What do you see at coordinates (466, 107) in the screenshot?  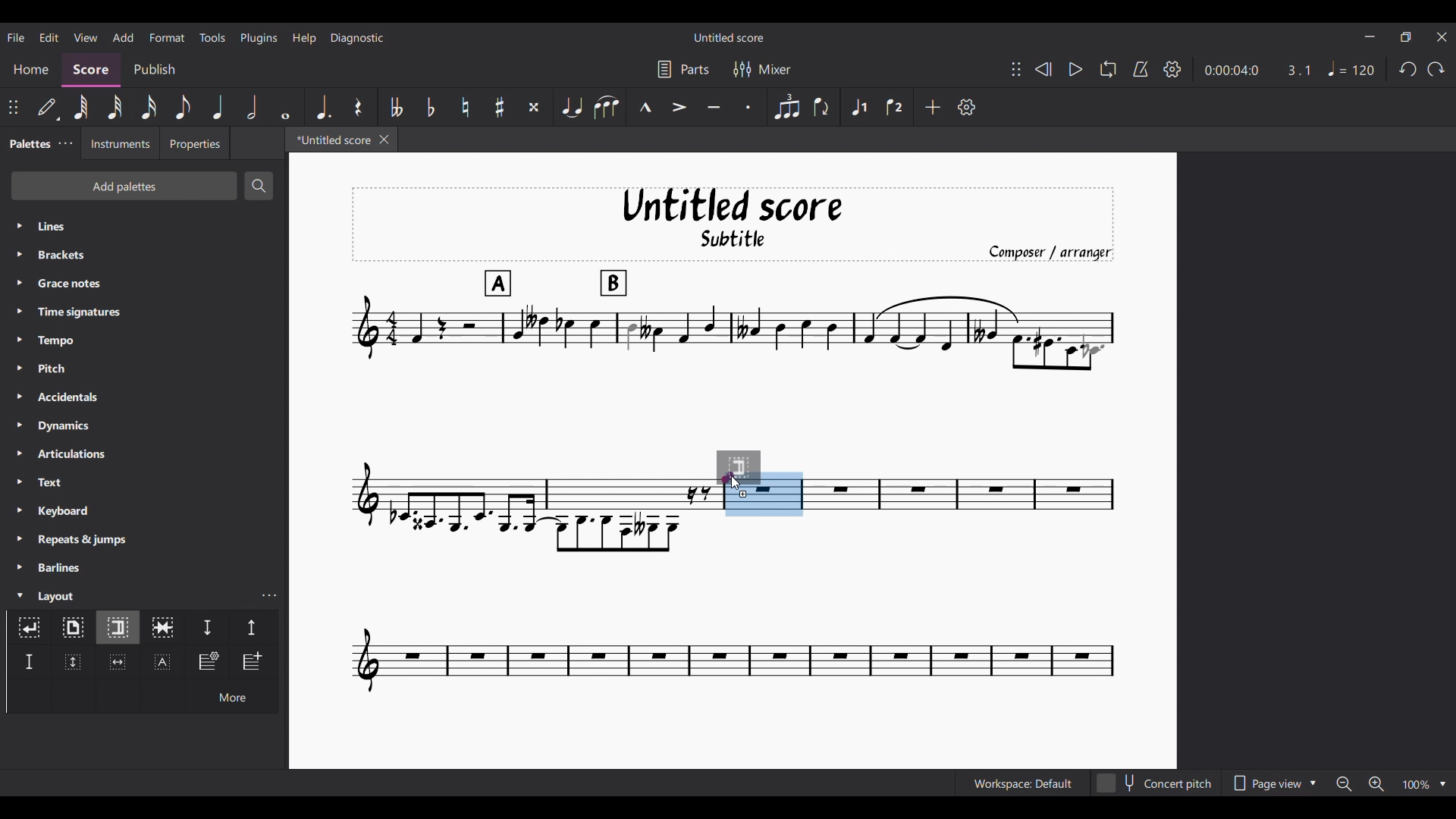 I see `Toggle natural` at bounding box center [466, 107].